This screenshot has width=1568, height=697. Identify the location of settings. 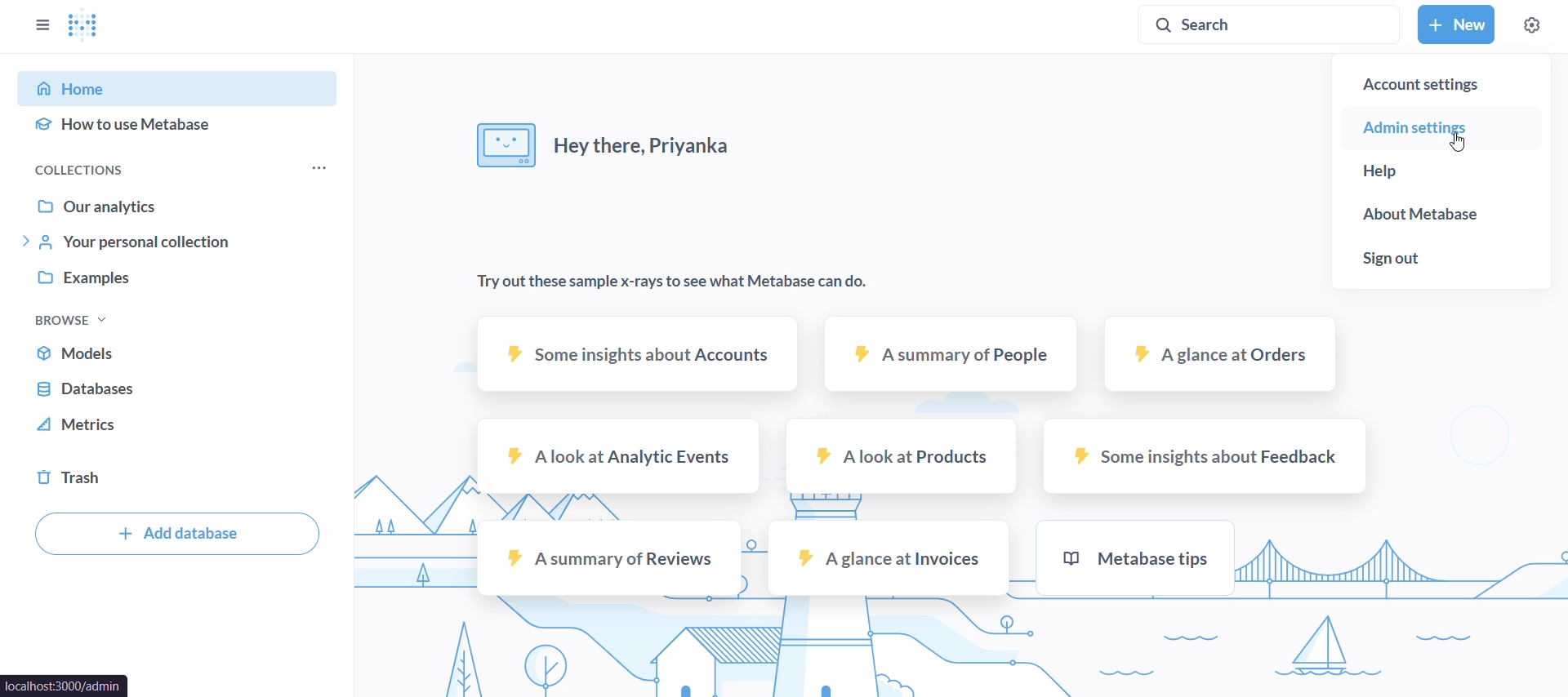
(1530, 25).